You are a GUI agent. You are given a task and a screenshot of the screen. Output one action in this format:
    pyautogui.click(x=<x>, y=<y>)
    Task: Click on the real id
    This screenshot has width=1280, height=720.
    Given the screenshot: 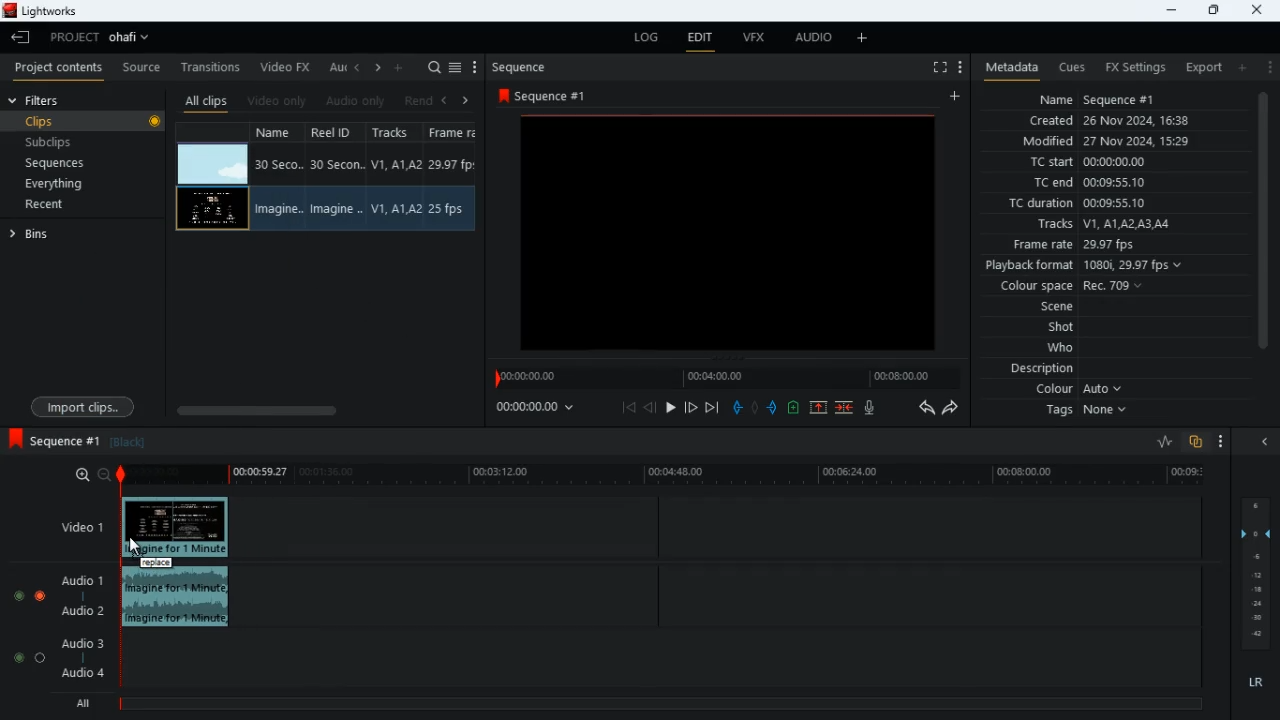 What is the action you would take?
    pyautogui.click(x=338, y=132)
    